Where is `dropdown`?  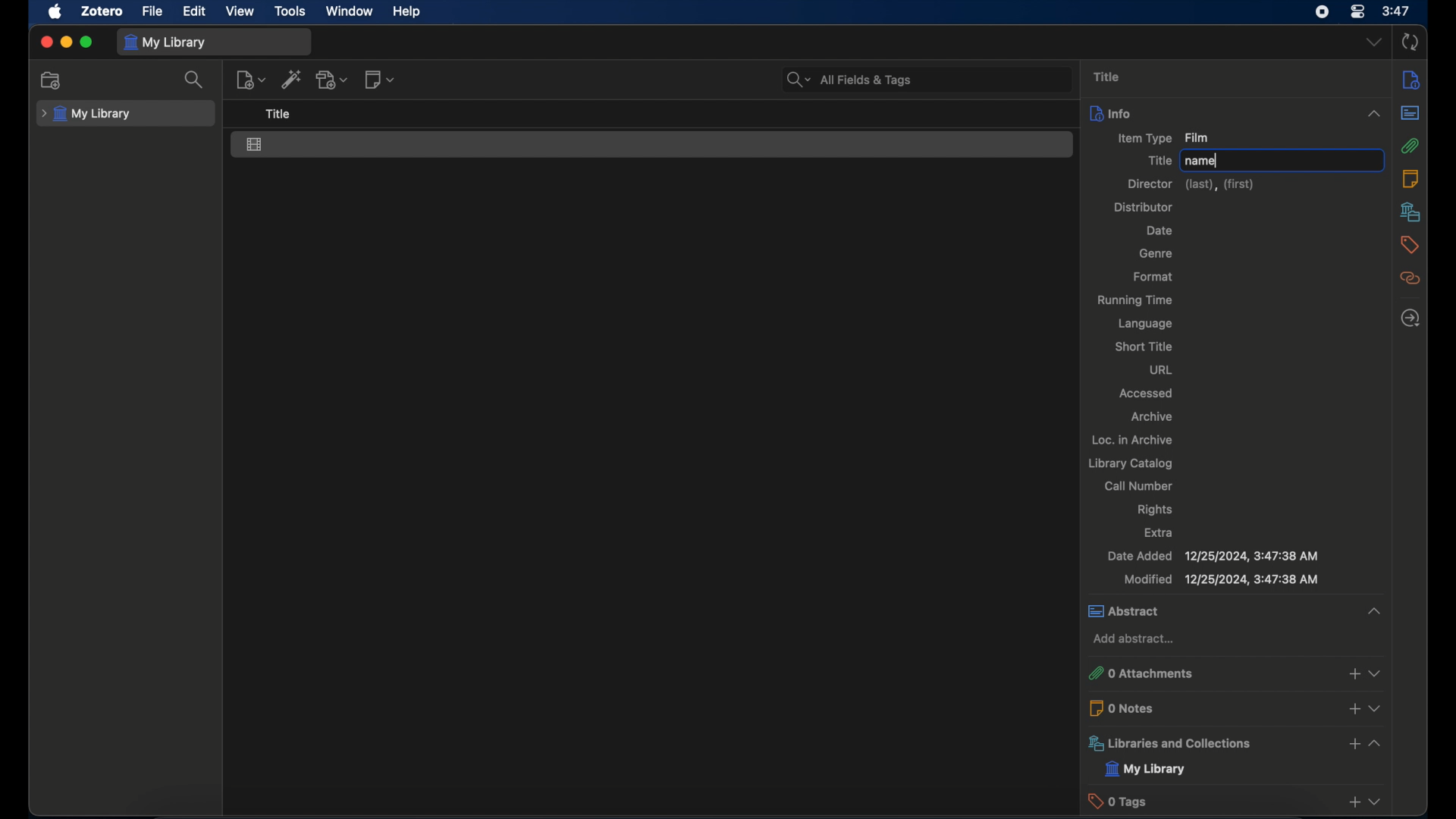 dropdown is located at coordinates (1380, 708).